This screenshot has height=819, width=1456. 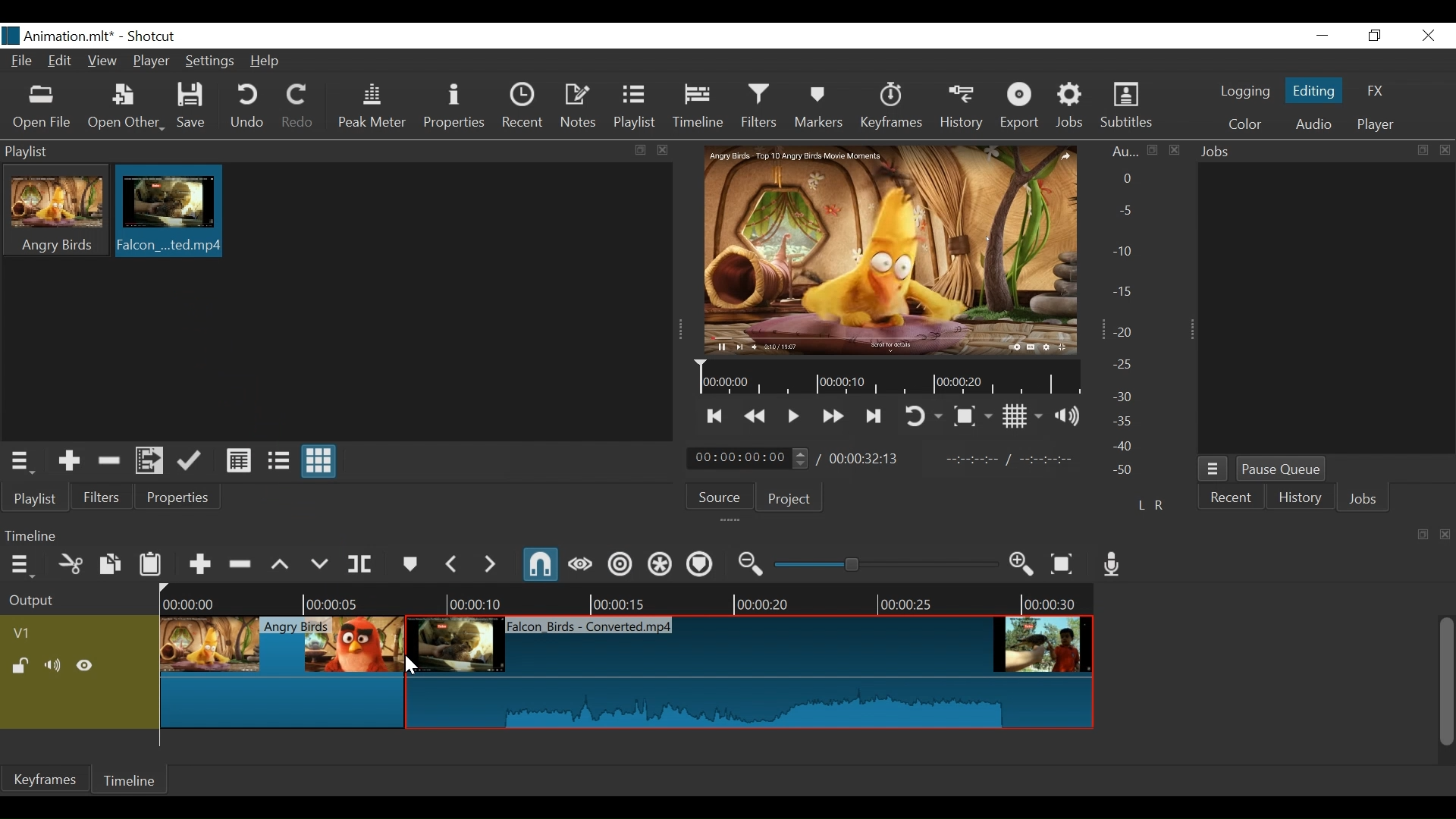 I want to click on Zoom Slider, so click(x=886, y=563).